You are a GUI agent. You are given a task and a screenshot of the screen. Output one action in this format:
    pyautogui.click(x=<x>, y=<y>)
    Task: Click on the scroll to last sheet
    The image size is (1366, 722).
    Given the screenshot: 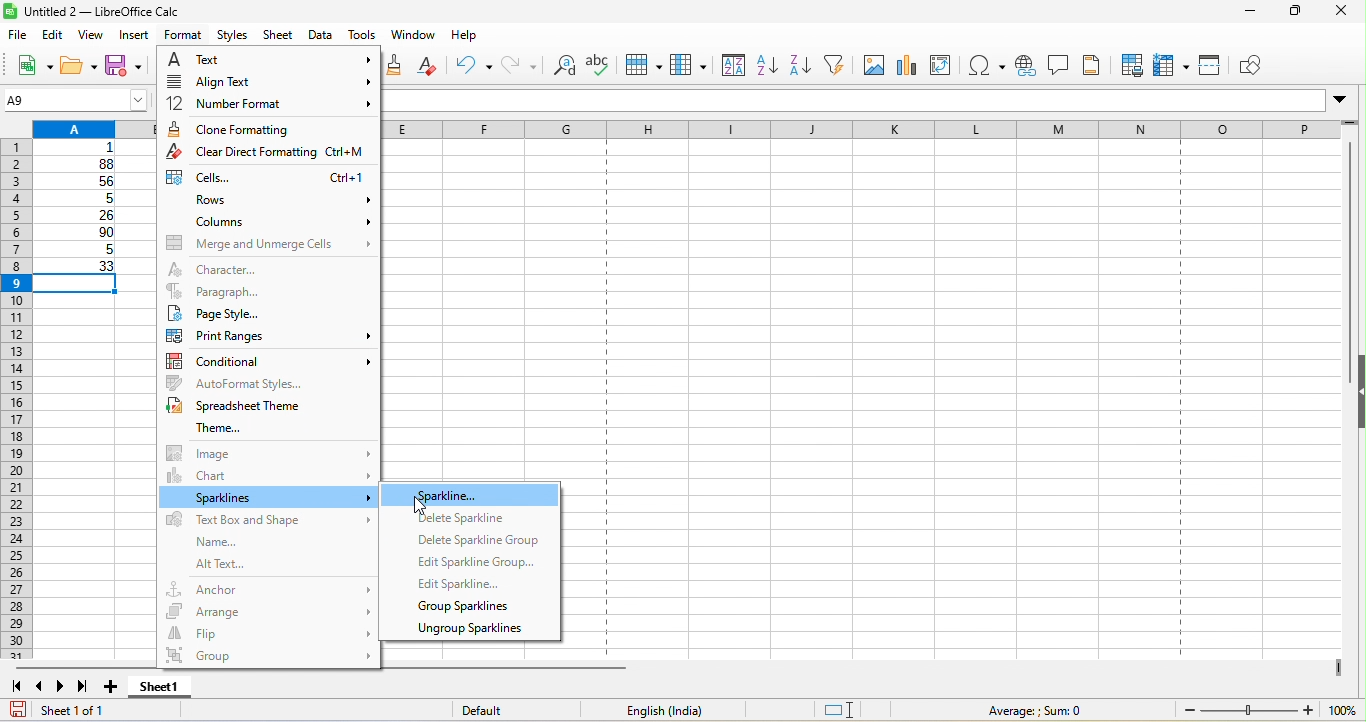 What is the action you would take?
    pyautogui.click(x=88, y=689)
    